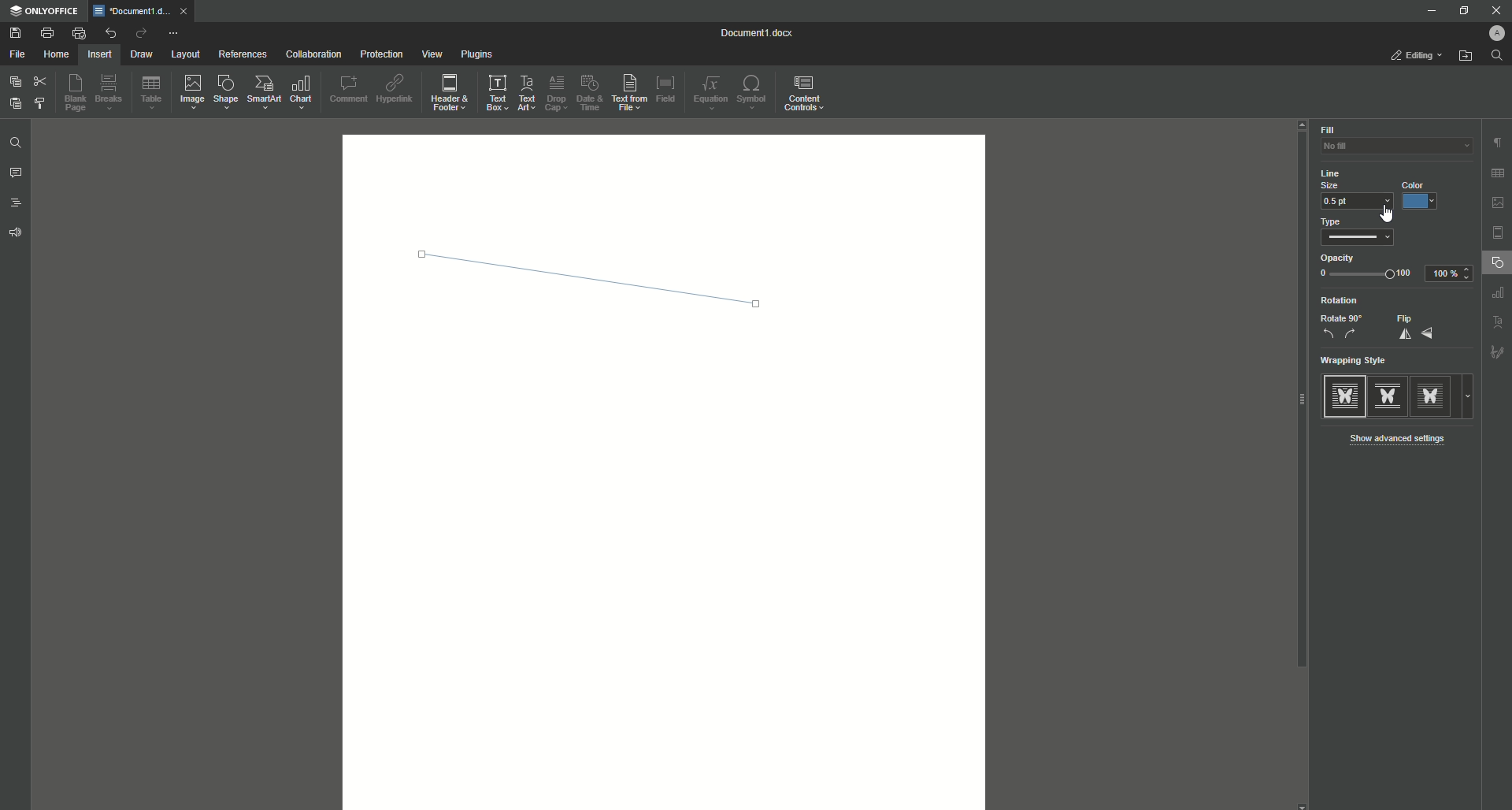 Image resolution: width=1512 pixels, height=810 pixels. I want to click on Breaks, so click(112, 94).